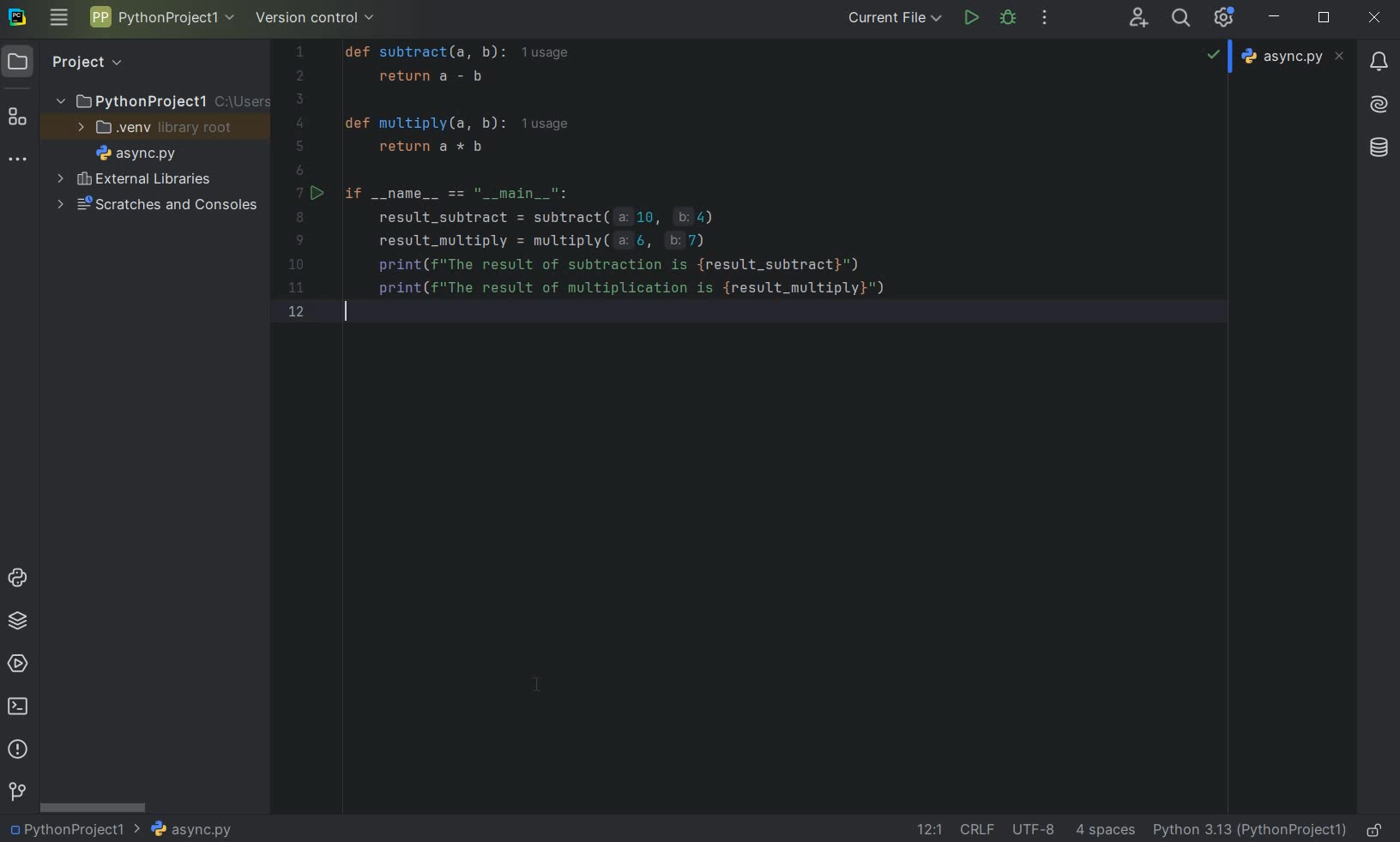 The image size is (1400, 842). Describe the element at coordinates (18, 120) in the screenshot. I see `structure` at that location.